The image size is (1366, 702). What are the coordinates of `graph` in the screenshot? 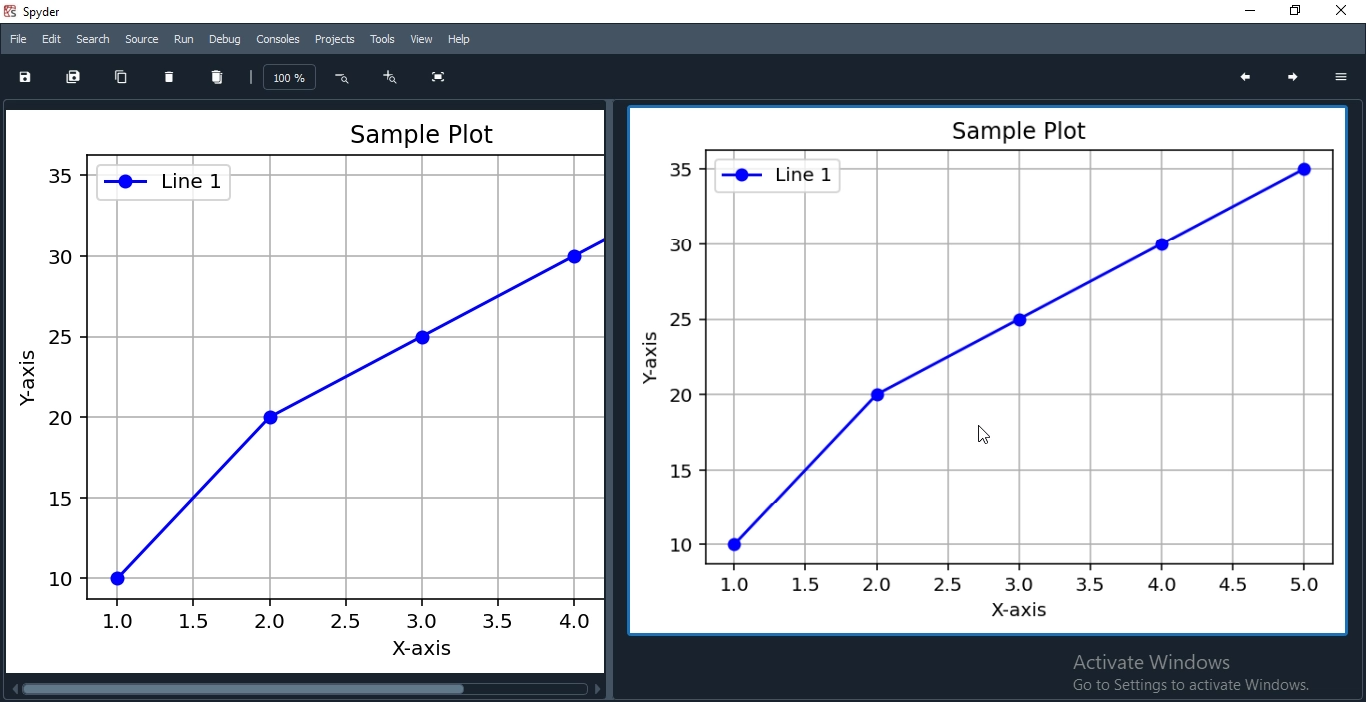 It's located at (981, 374).